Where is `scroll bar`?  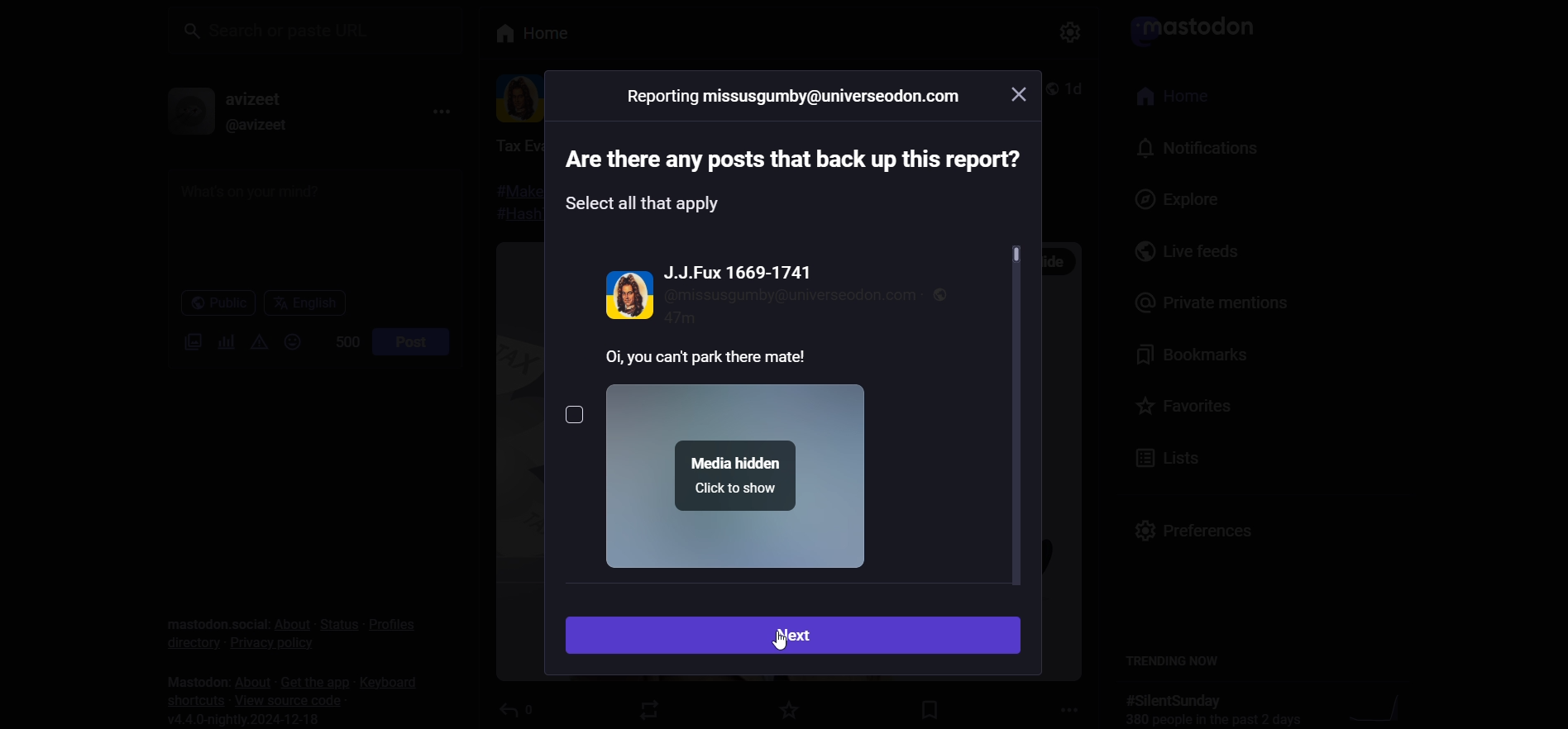 scroll bar is located at coordinates (1023, 255).